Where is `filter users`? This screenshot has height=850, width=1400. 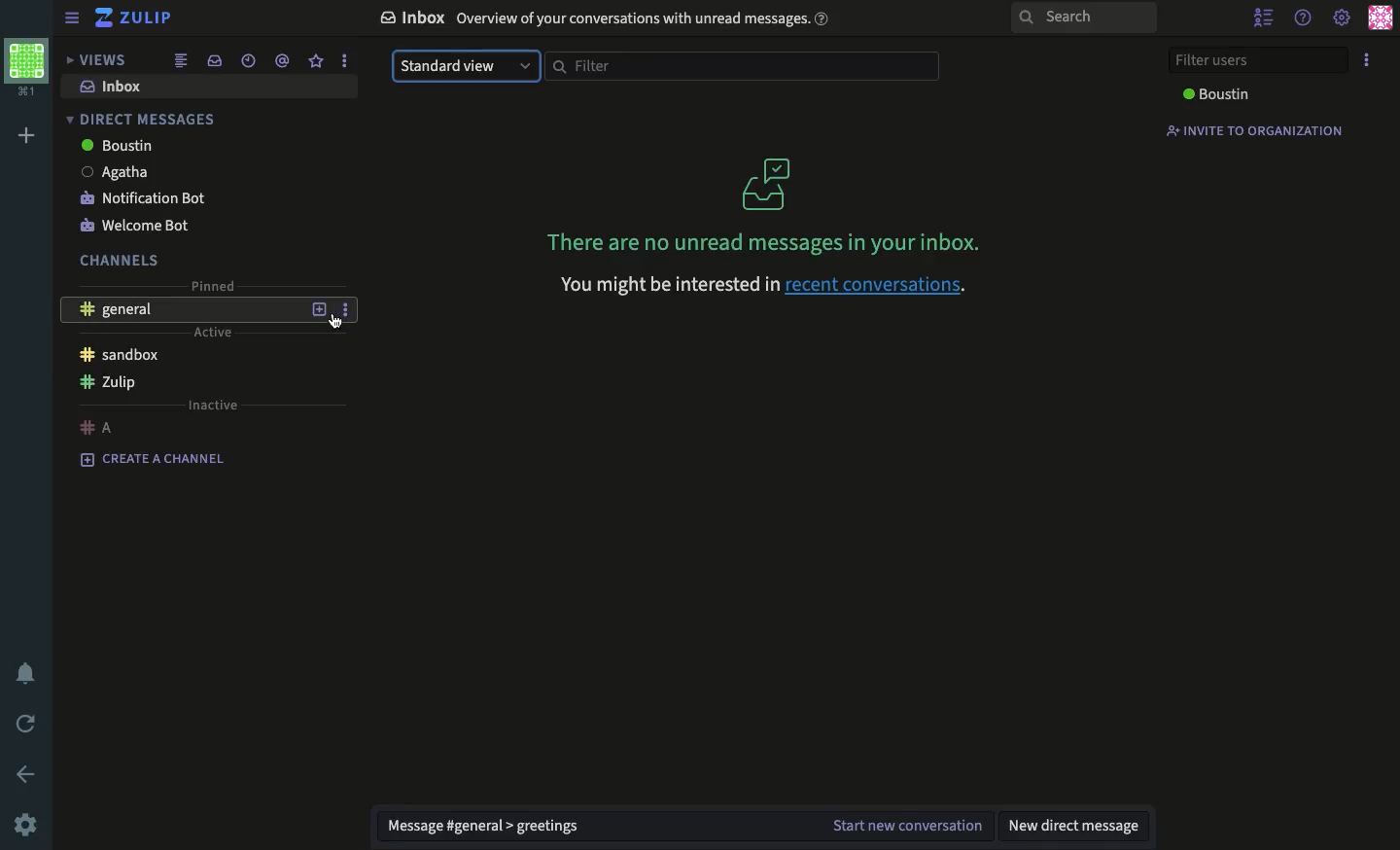 filter users is located at coordinates (1255, 57).